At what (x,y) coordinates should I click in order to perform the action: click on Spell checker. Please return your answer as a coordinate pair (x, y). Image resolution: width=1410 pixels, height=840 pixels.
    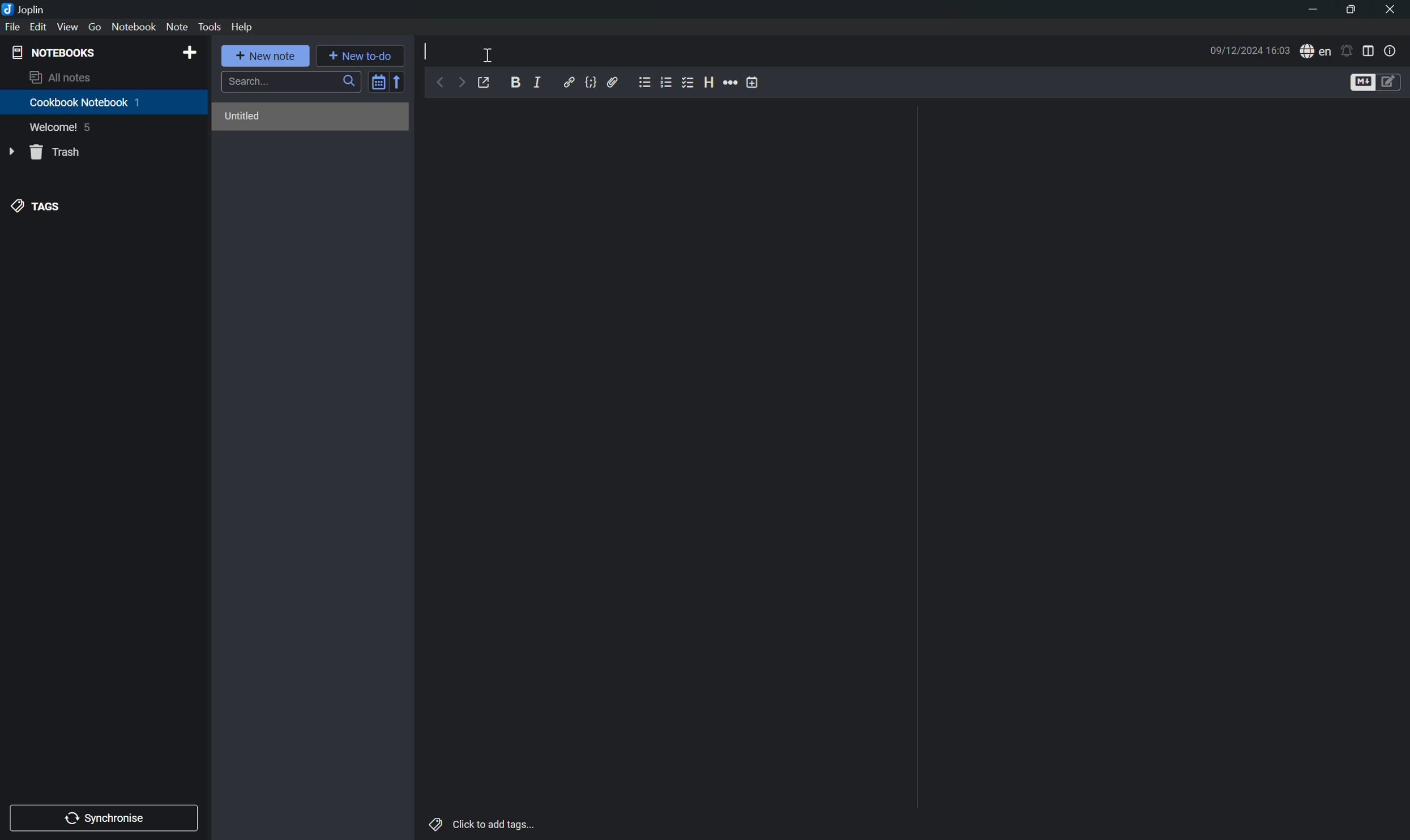
    Looking at the image, I should click on (1317, 50).